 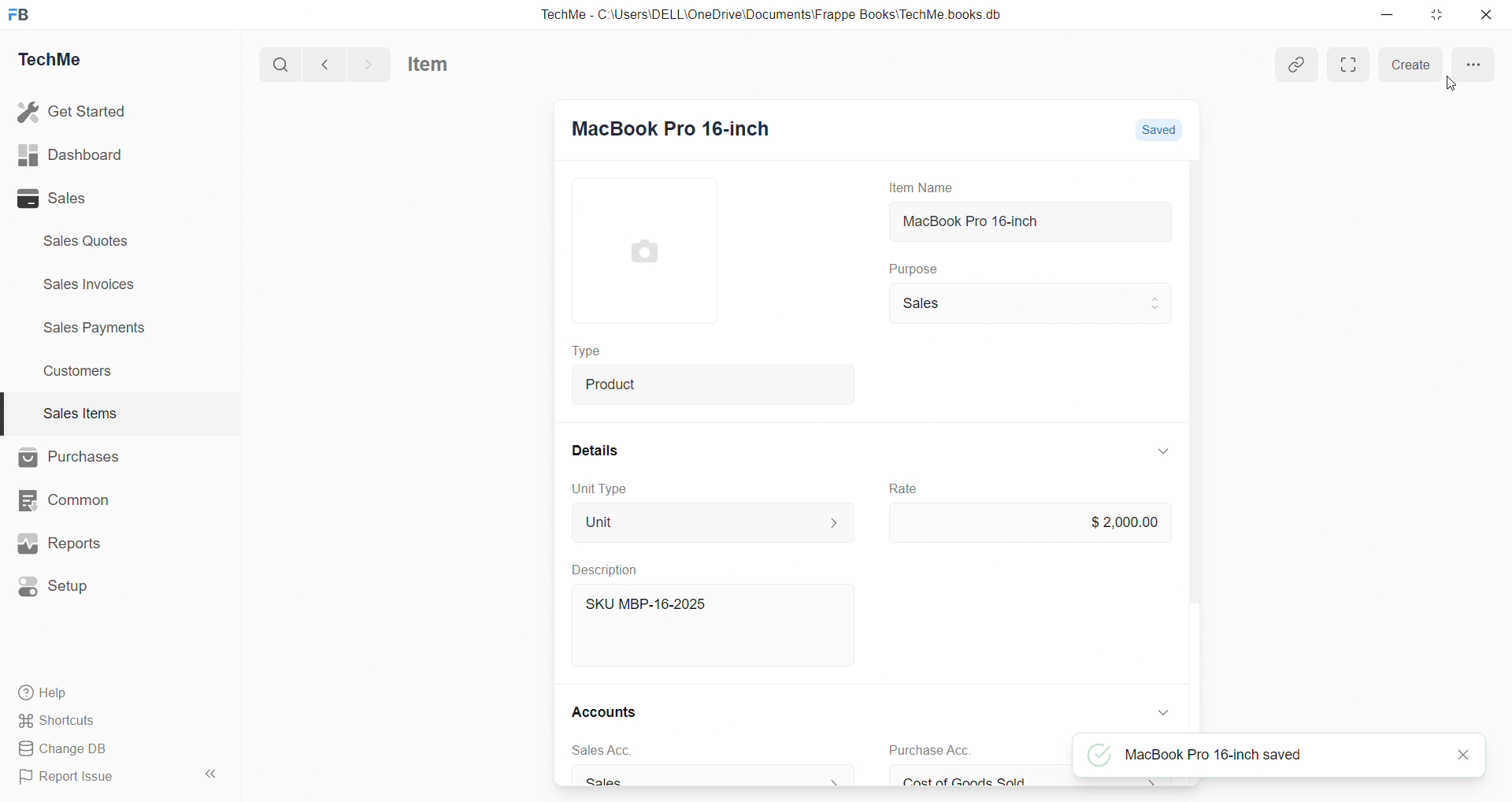 I want to click on share link, so click(x=1298, y=65).